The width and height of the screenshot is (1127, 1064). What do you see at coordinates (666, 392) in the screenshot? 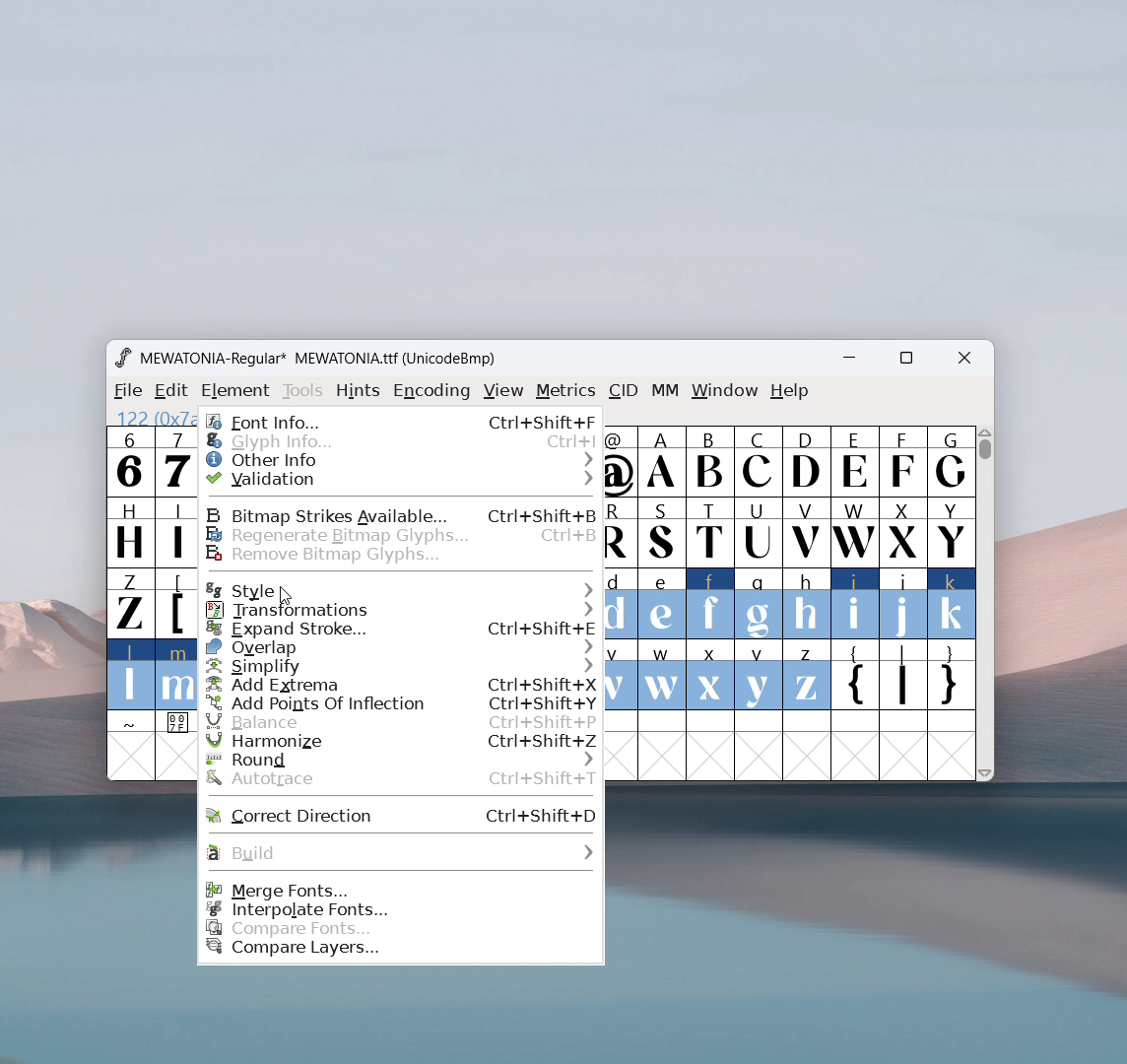
I see `MM` at bounding box center [666, 392].